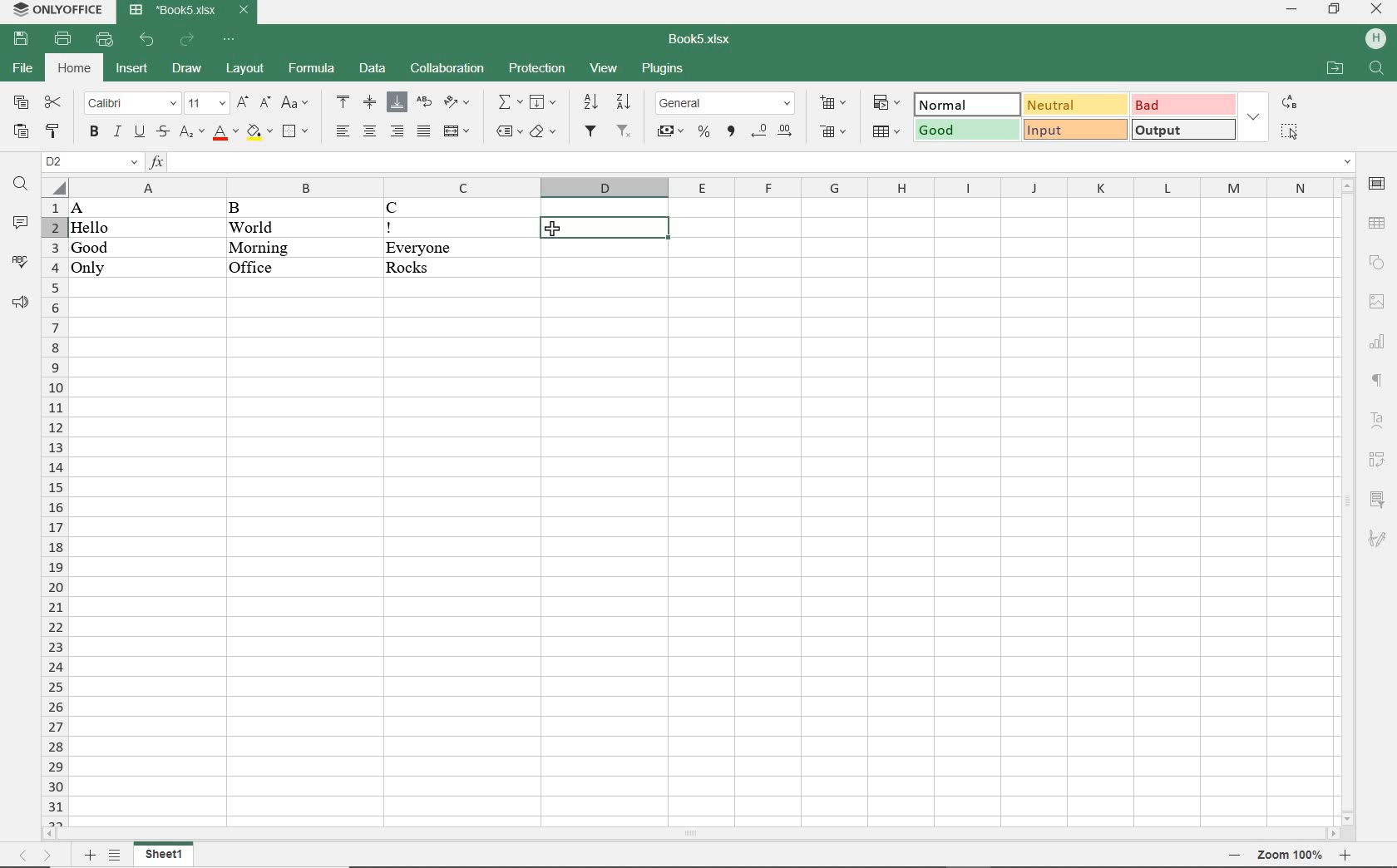 This screenshot has height=868, width=1397. Describe the element at coordinates (1075, 130) in the screenshot. I see `input` at that location.